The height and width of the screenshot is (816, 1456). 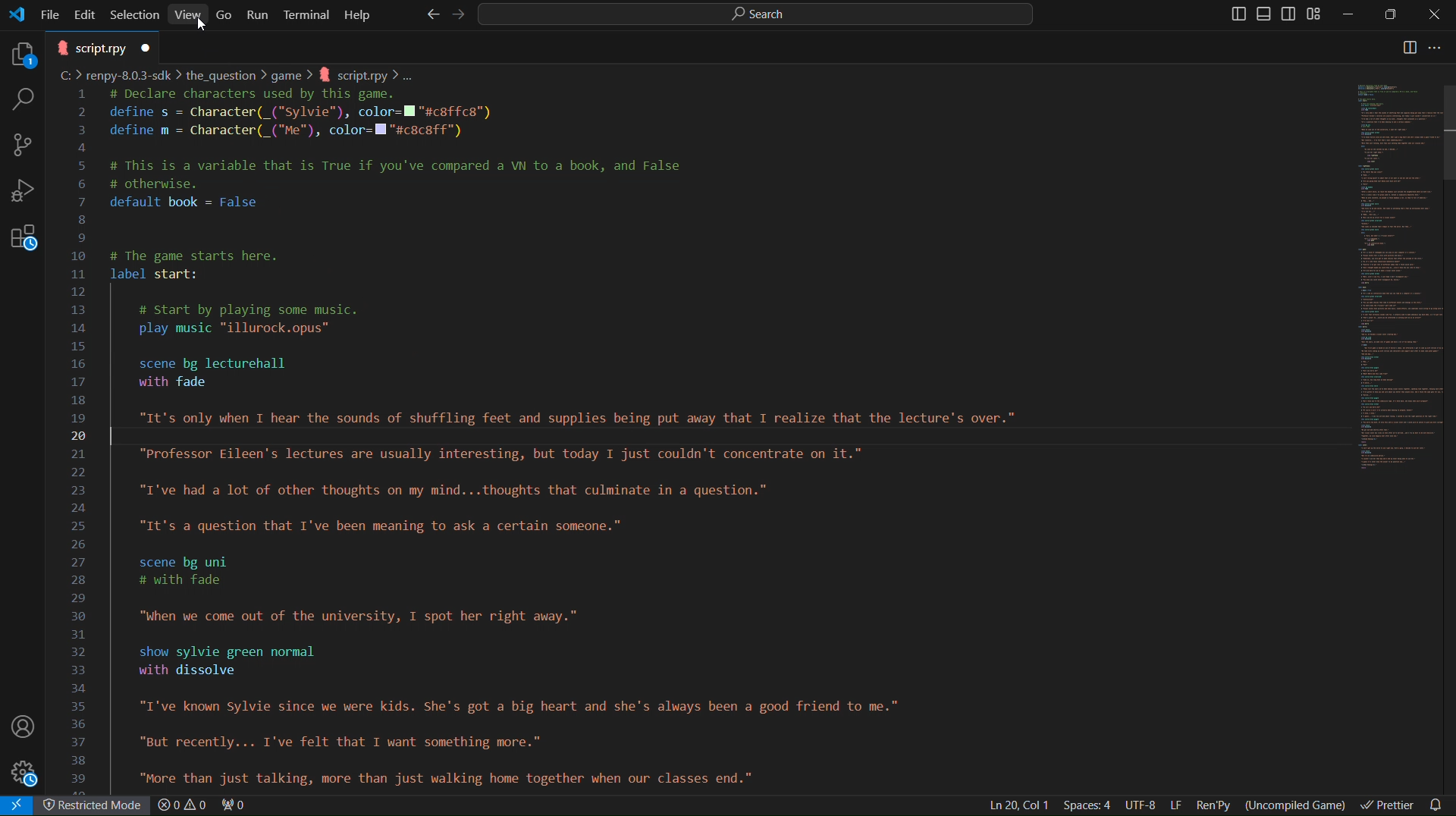 I want to click on Minimize, so click(x=1351, y=14).